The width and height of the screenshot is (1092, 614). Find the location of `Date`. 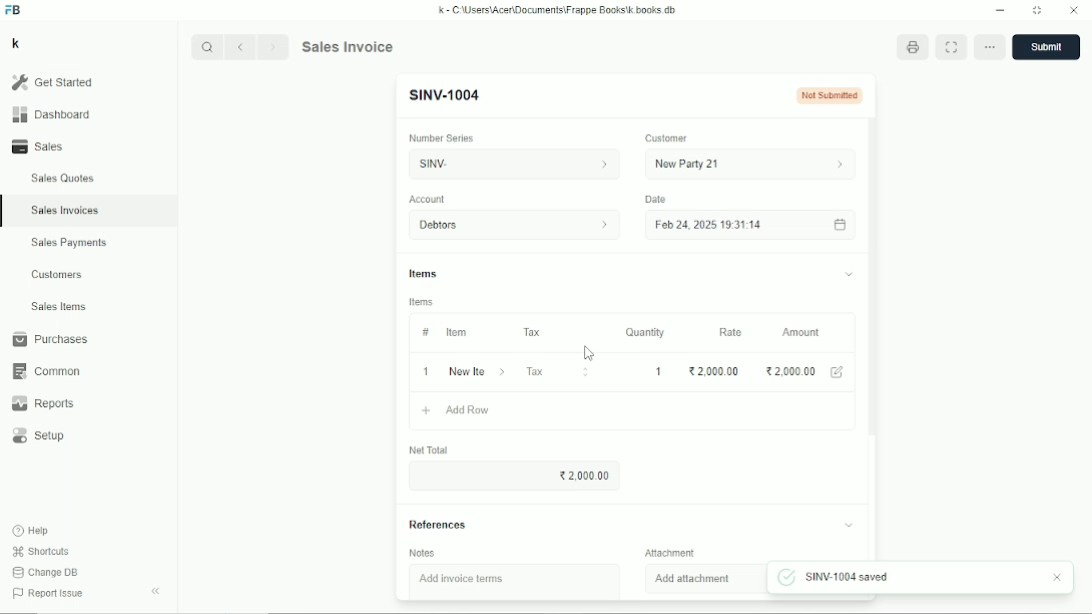

Date is located at coordinates (655, 199).